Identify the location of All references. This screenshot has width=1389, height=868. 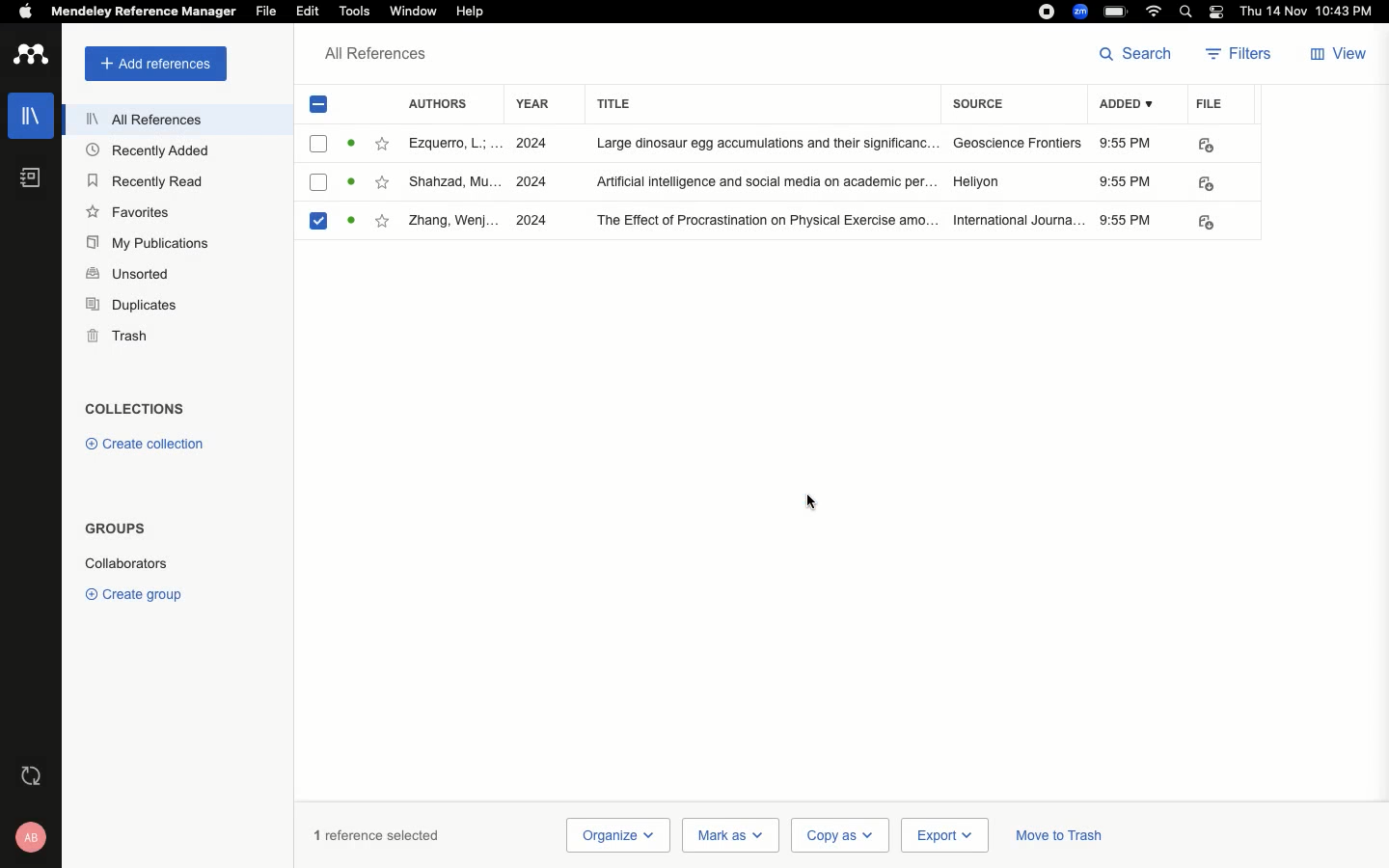
(145, 122).